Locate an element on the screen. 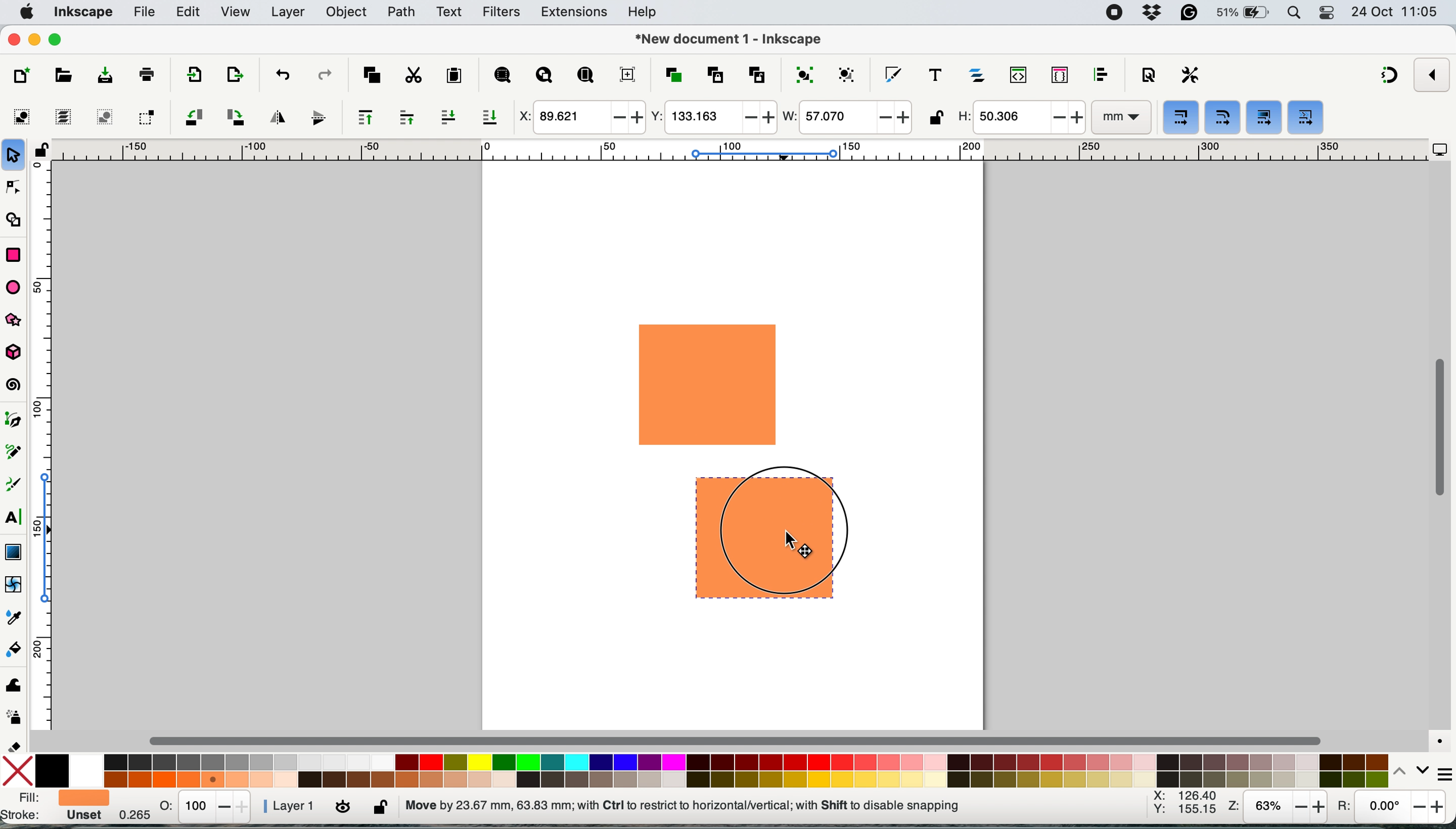  zoom is located at coordinates (1277, 808).